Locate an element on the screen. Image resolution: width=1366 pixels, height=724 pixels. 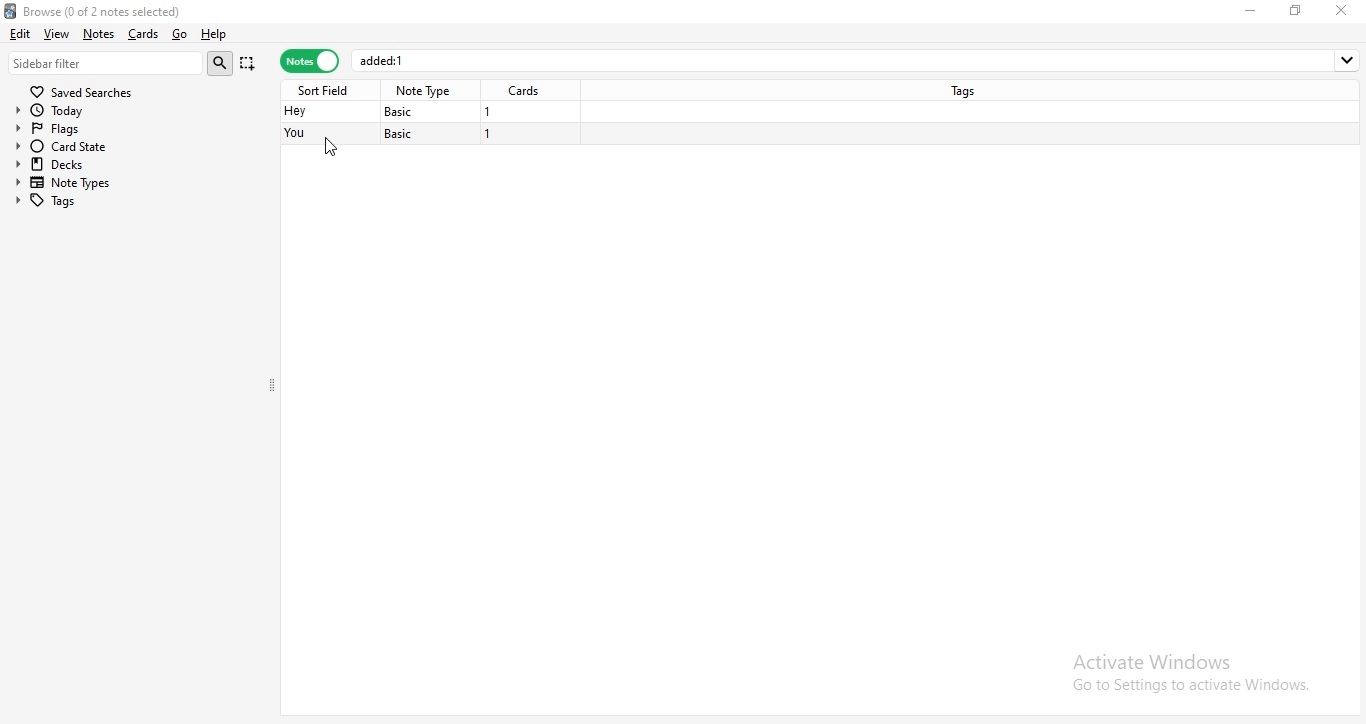
added:1 is located at coordinates (858, 60).